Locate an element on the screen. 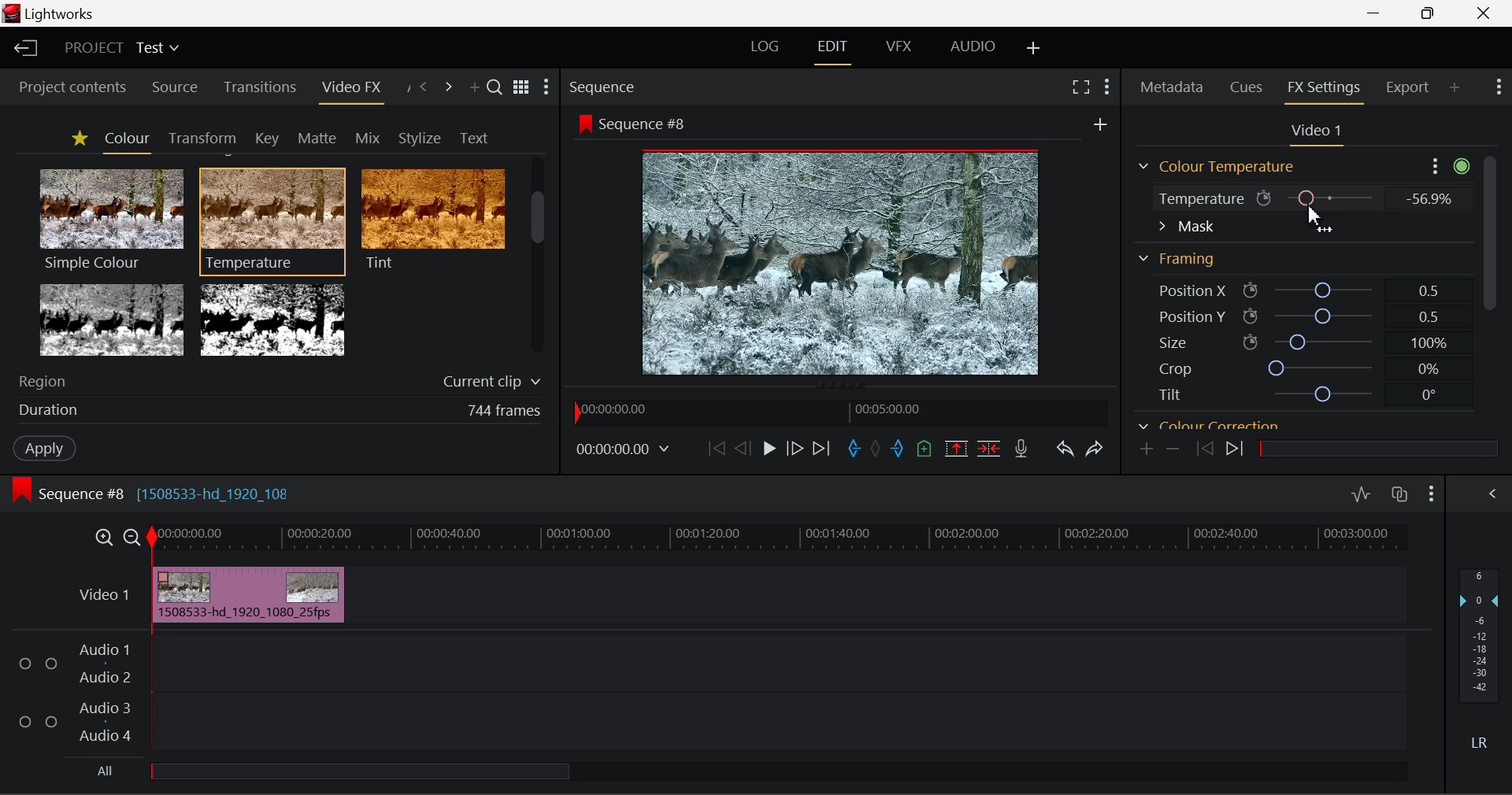 This screenshot has width=1512, height=795. Search is located at coordinates (496, 90).